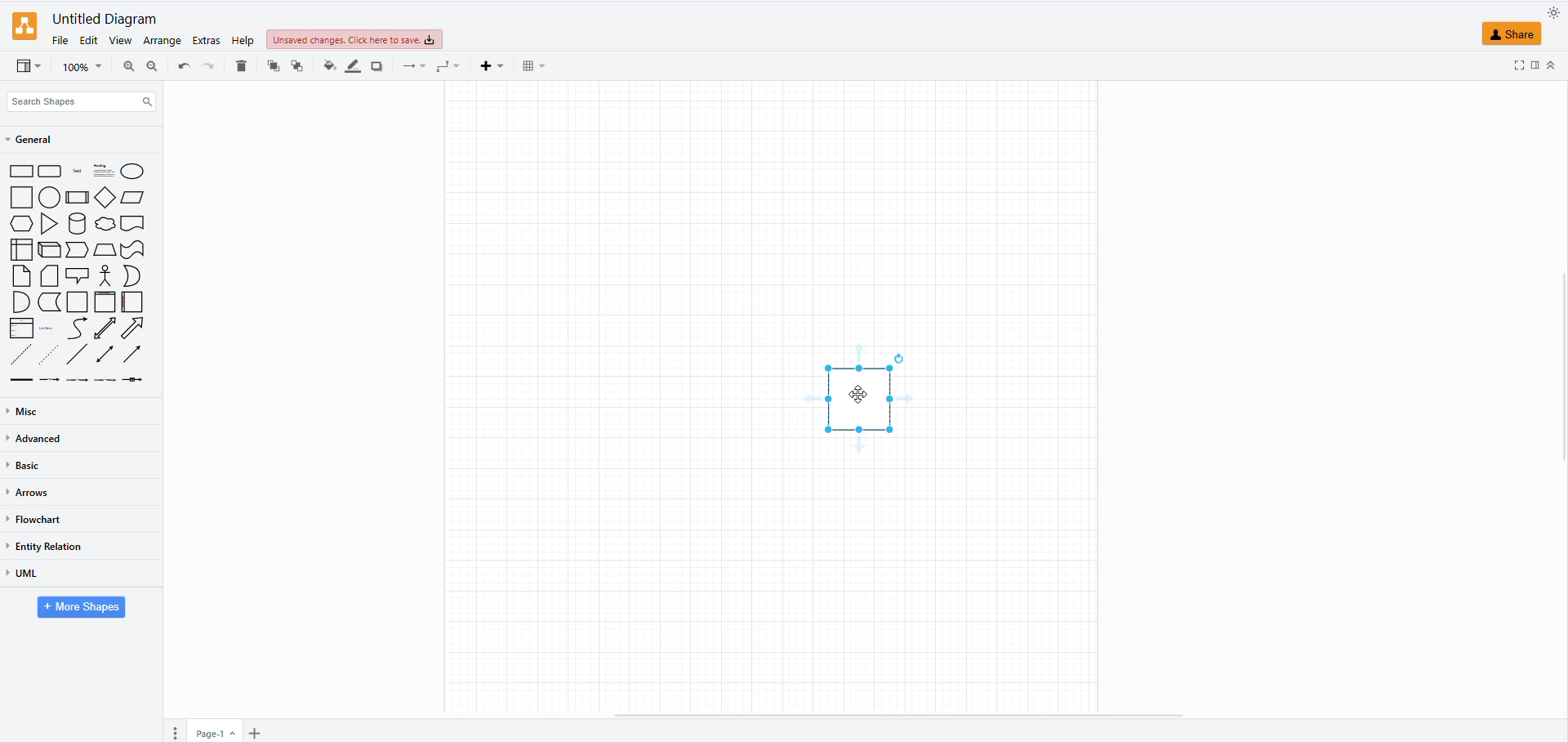  I want to click on untitled diagram, so click(103, 20).